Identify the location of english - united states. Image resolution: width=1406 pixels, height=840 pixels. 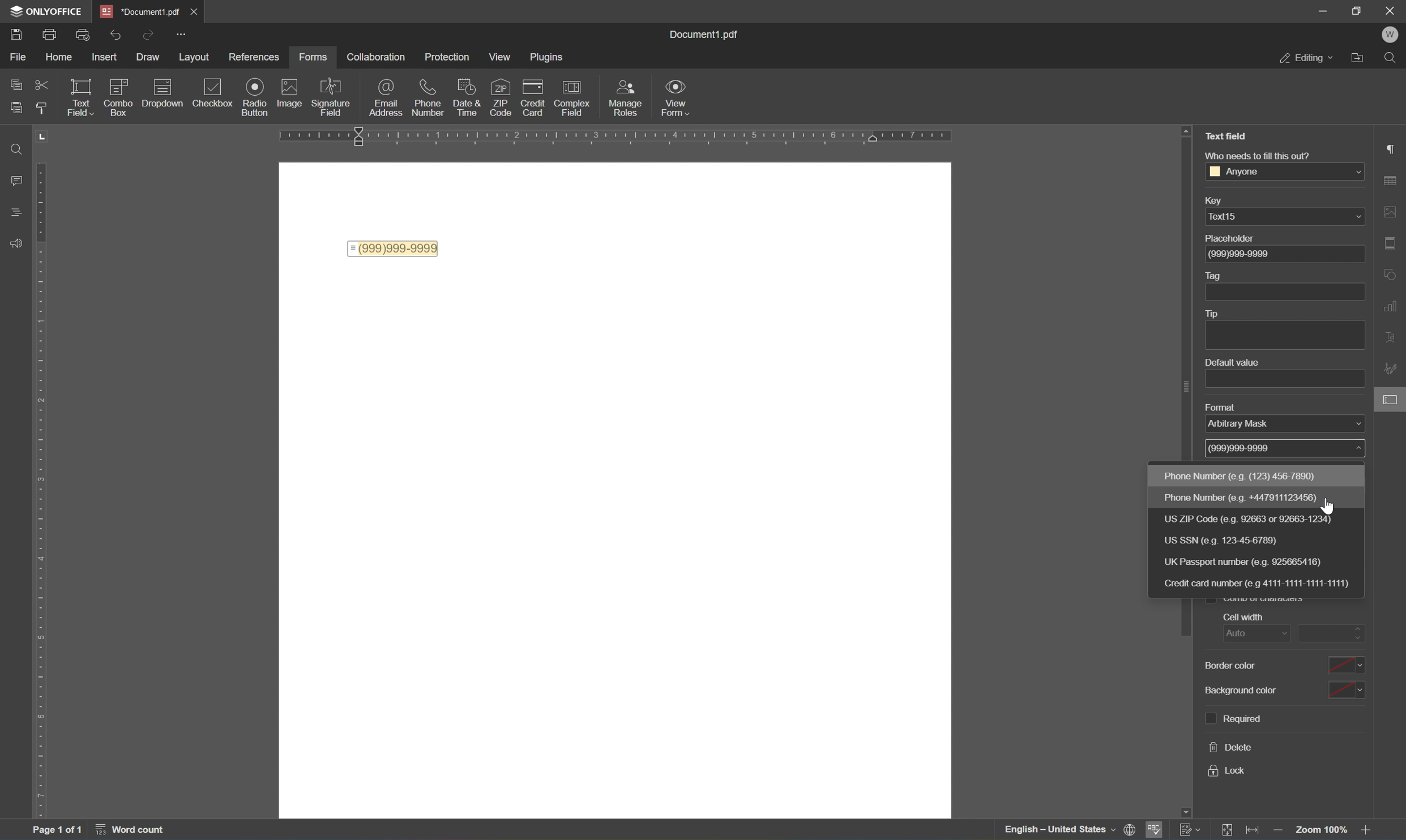
(1058, 830).